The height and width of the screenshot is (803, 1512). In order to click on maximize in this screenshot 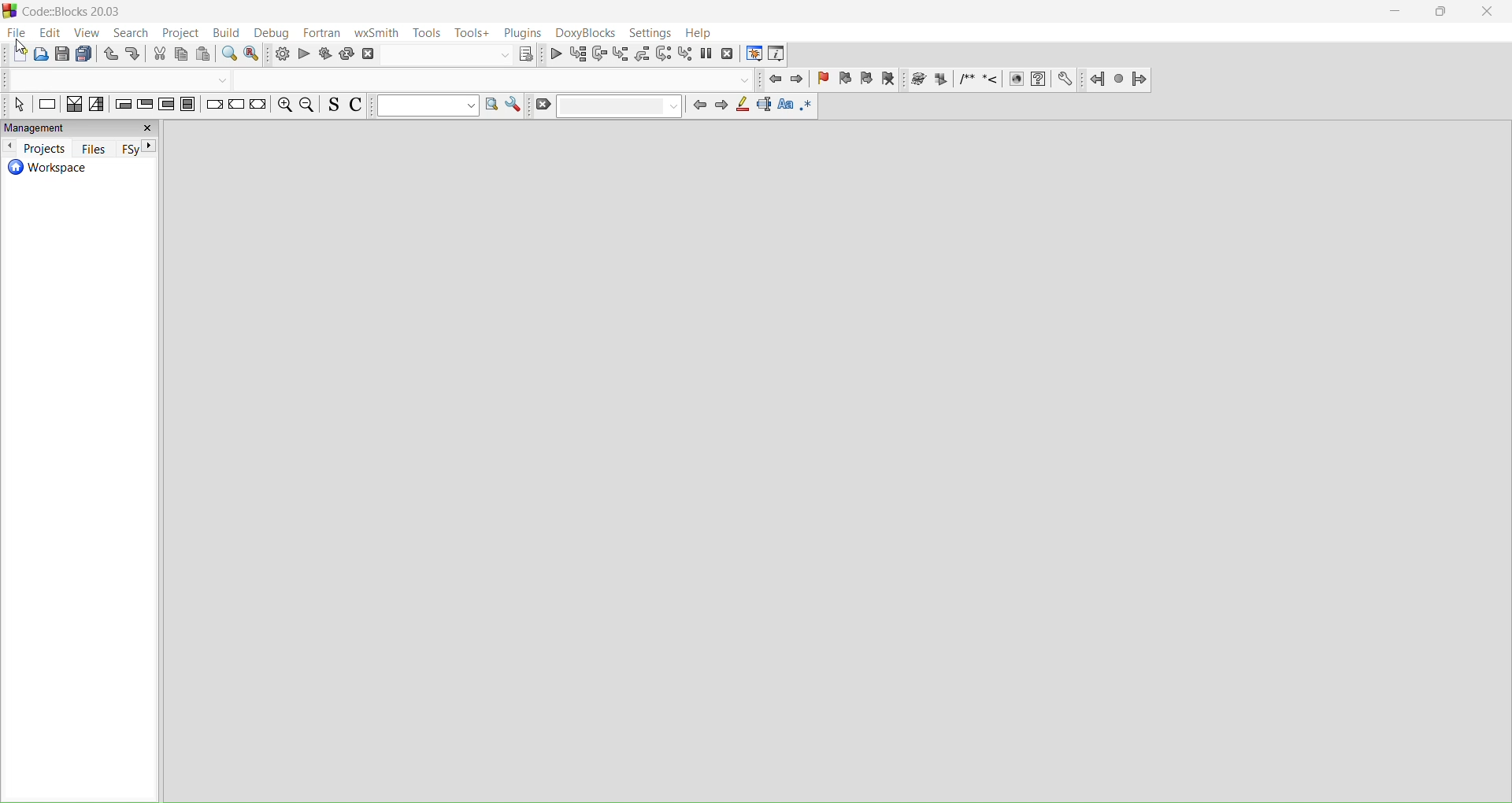, I will do `click(1441, 13)`.